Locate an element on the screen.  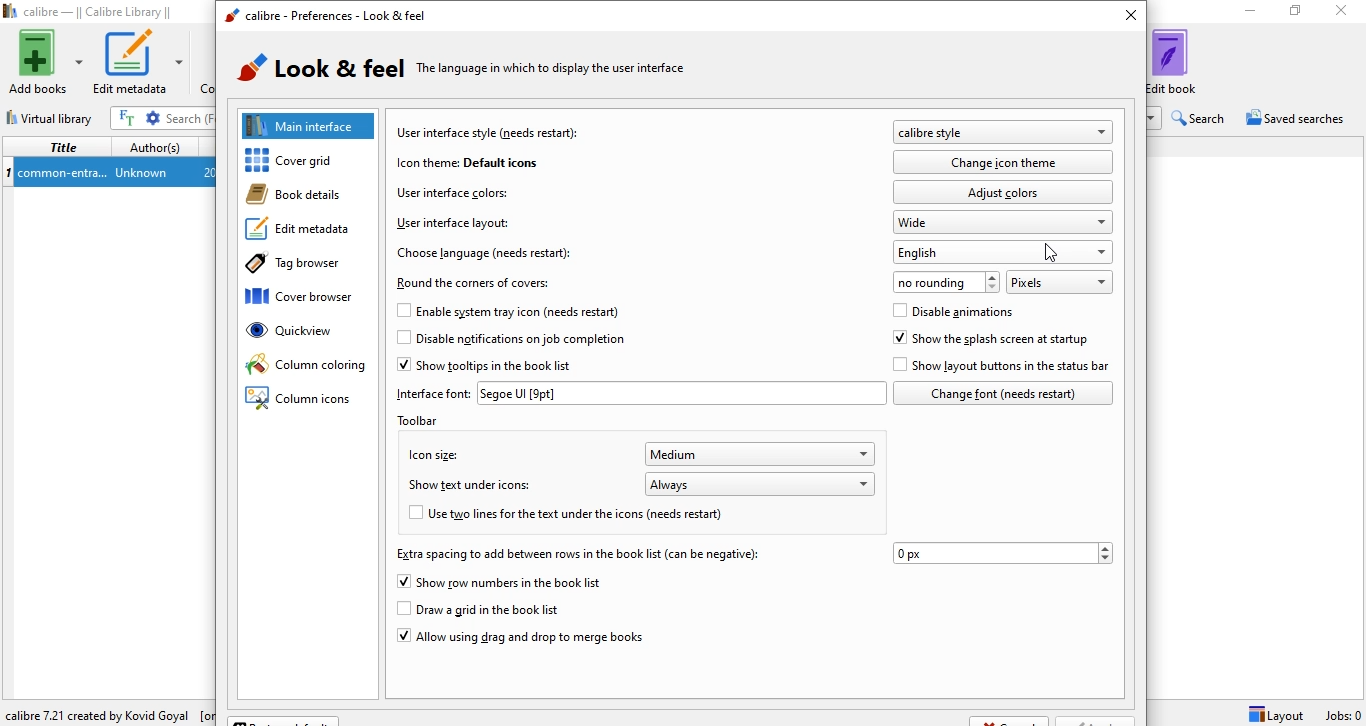
wide is located at coordinates (1004, 222).